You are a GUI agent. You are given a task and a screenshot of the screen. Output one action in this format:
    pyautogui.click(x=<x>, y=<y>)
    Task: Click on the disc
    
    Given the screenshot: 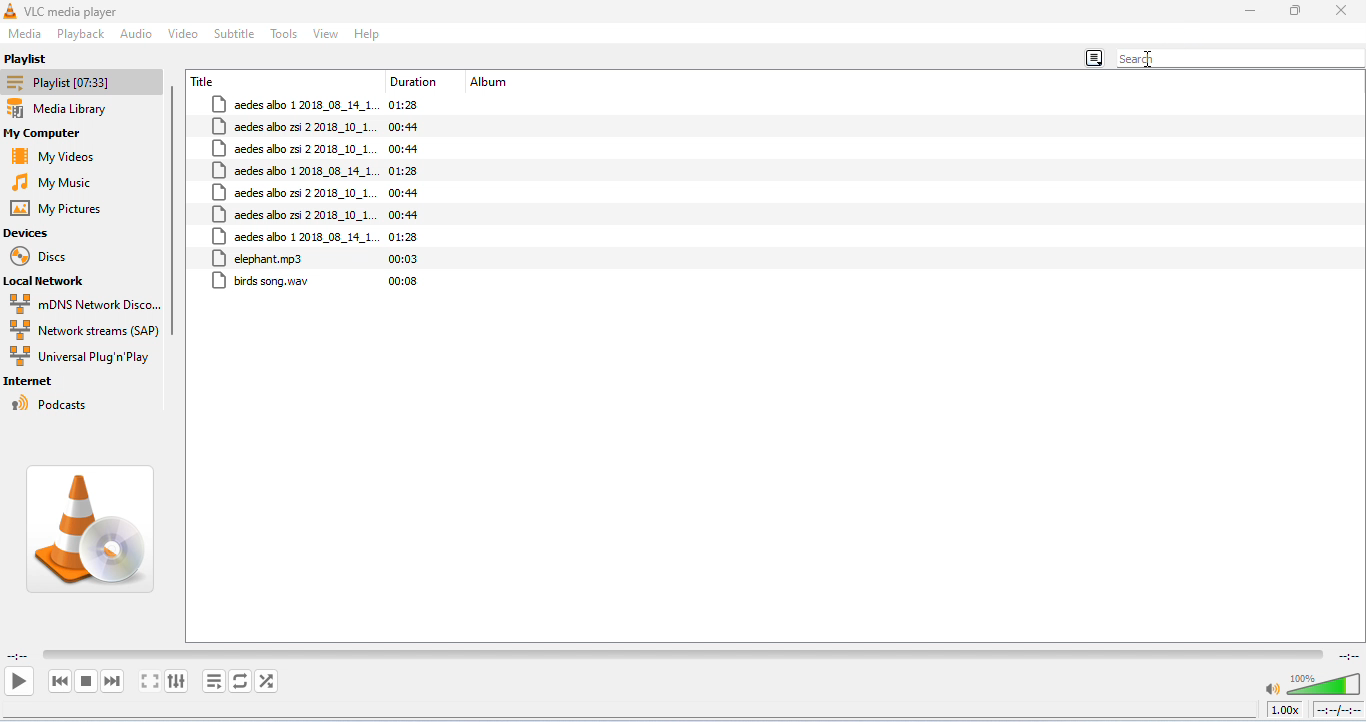 What is the action you would take?
    pyautogui.click(x=44, y=257)
    